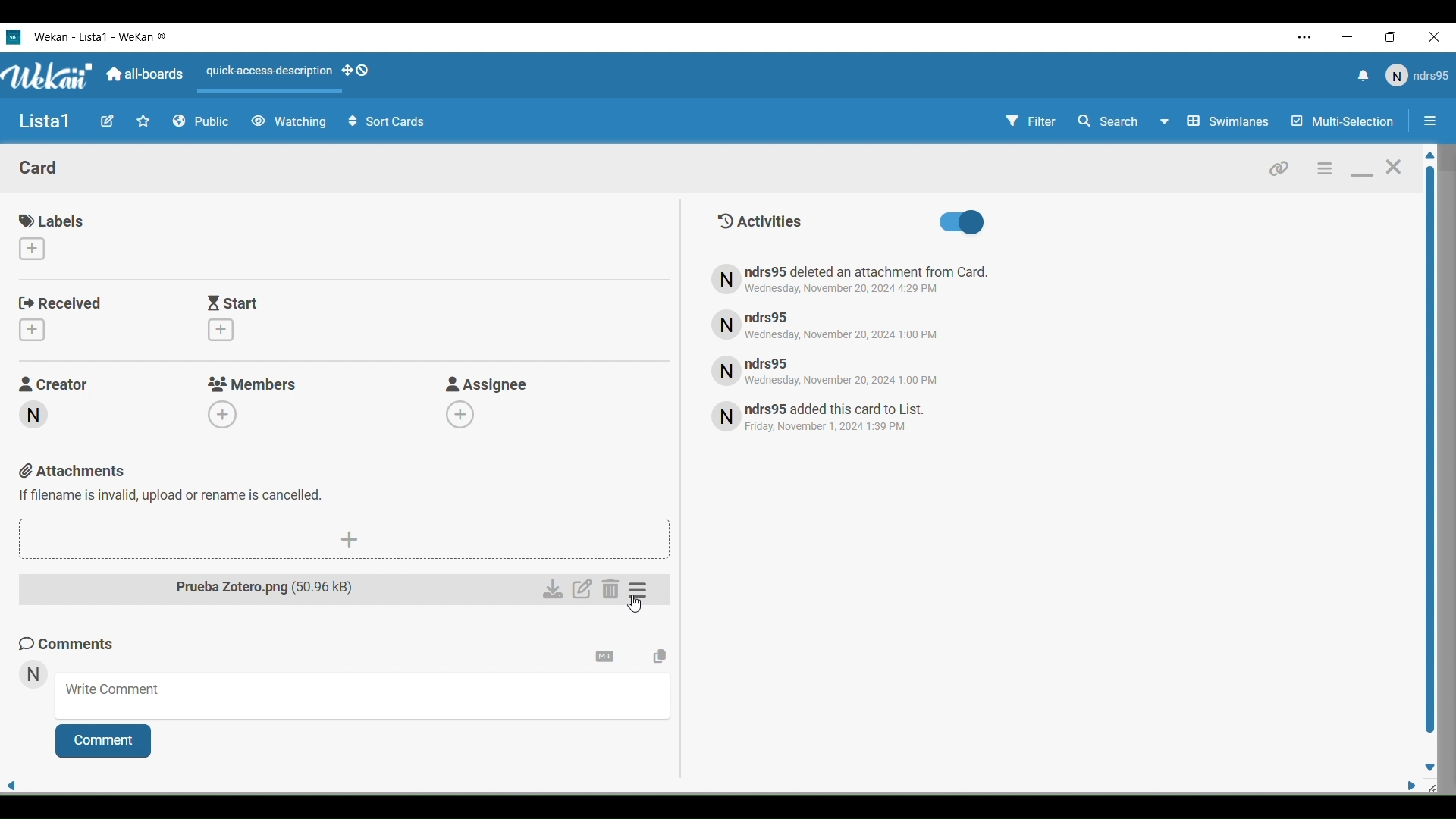 The width and height of the screenshot is (1456, 819). I want to click on Text, so click(836, 324).